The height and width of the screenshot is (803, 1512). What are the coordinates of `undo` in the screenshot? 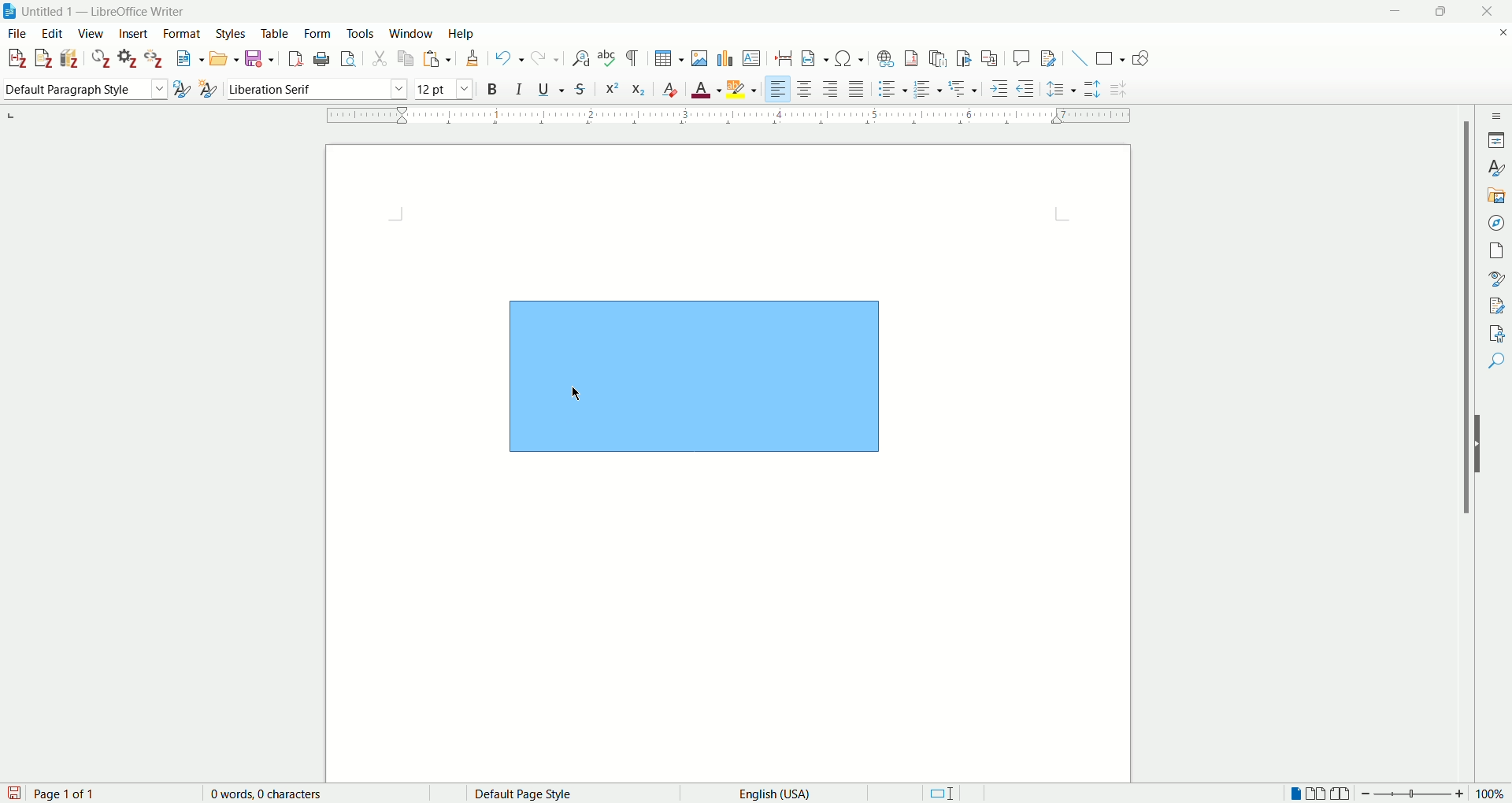 It's located at (507, 57).